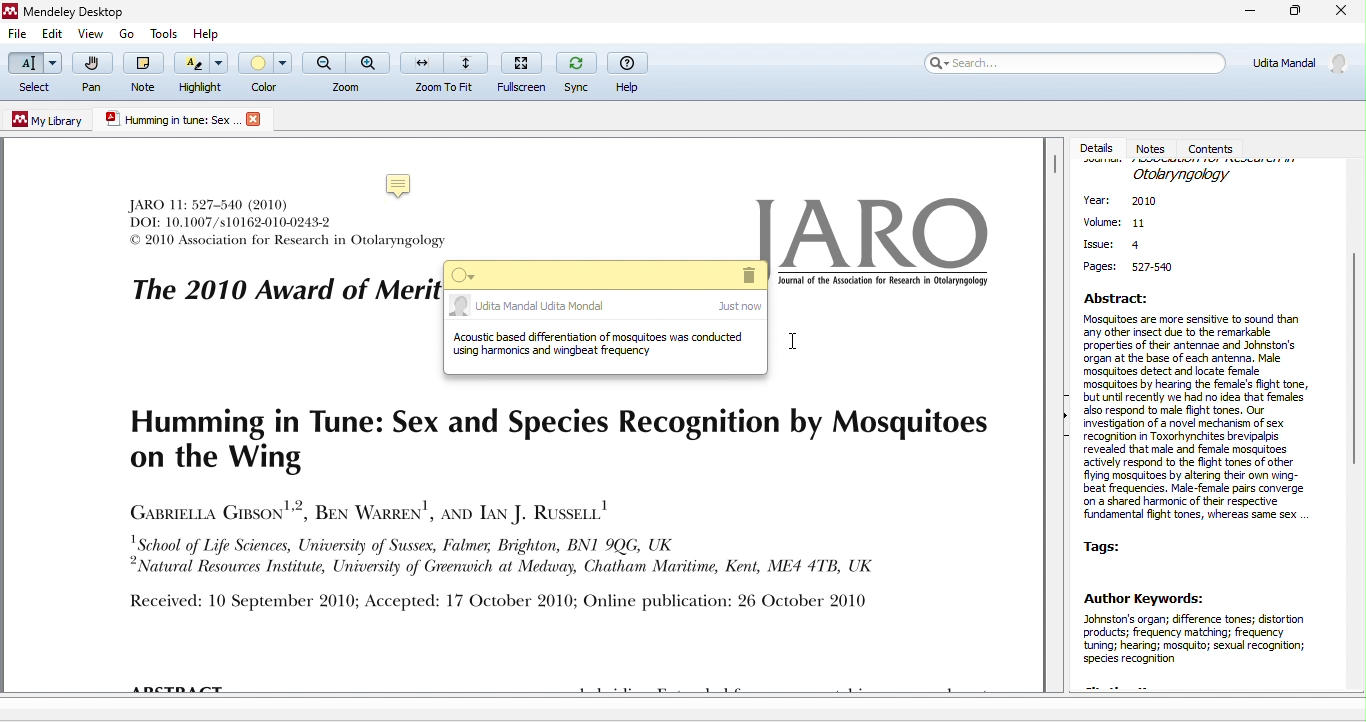  I want to click on edit, so click(53, 36).